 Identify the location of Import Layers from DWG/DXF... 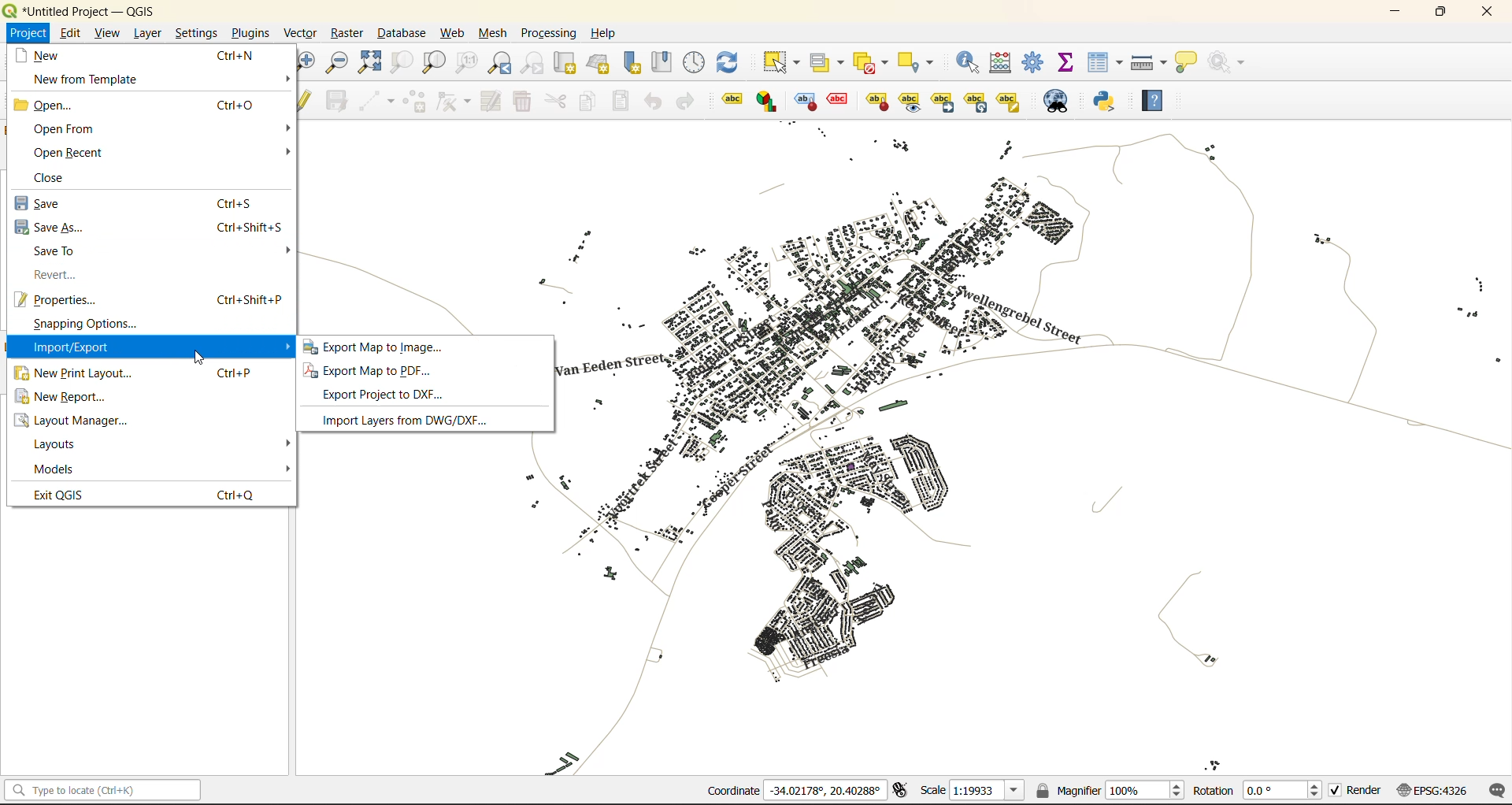
(401, 420).